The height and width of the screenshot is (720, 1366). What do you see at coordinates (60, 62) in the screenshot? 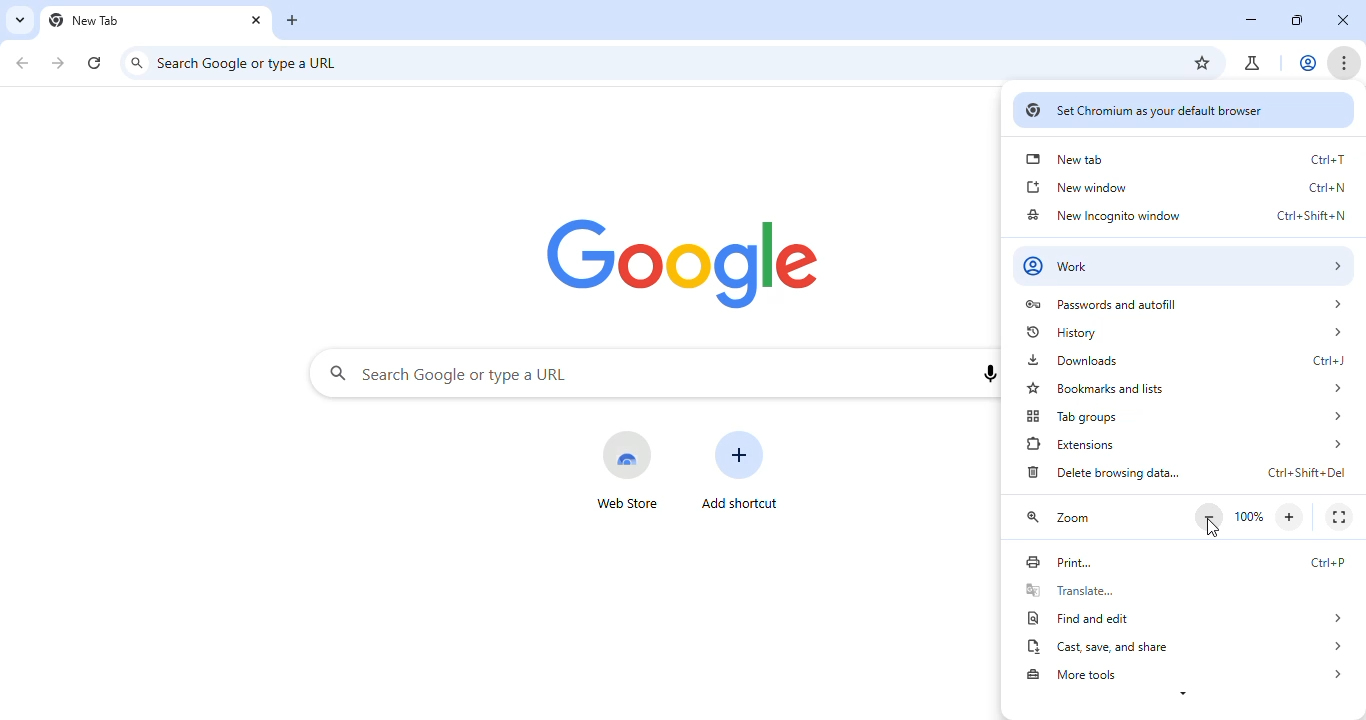
I see `go forward` at bounding box center [60, 62].